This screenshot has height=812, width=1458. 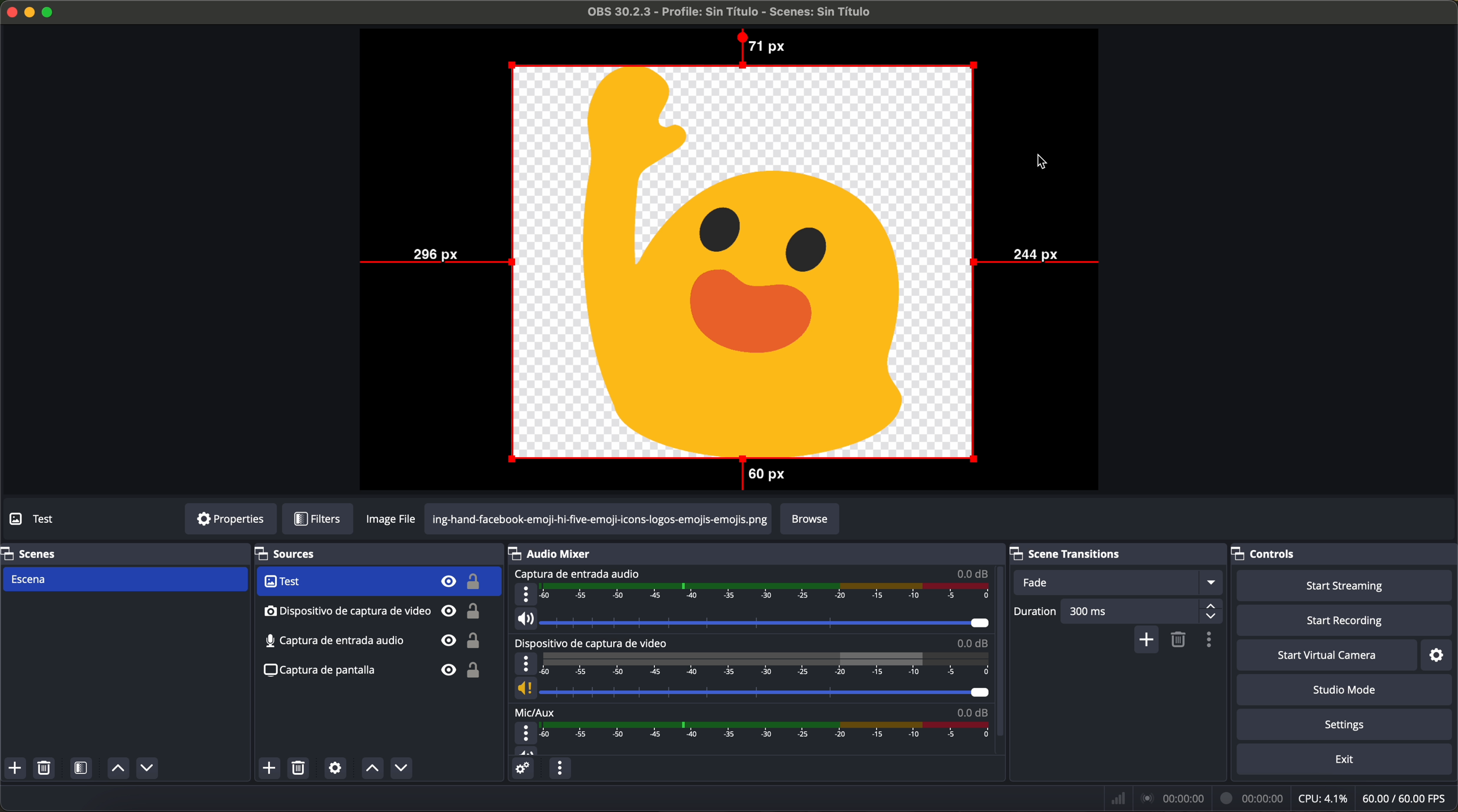 I want to click on open source properties, so click(x=335, y=768).